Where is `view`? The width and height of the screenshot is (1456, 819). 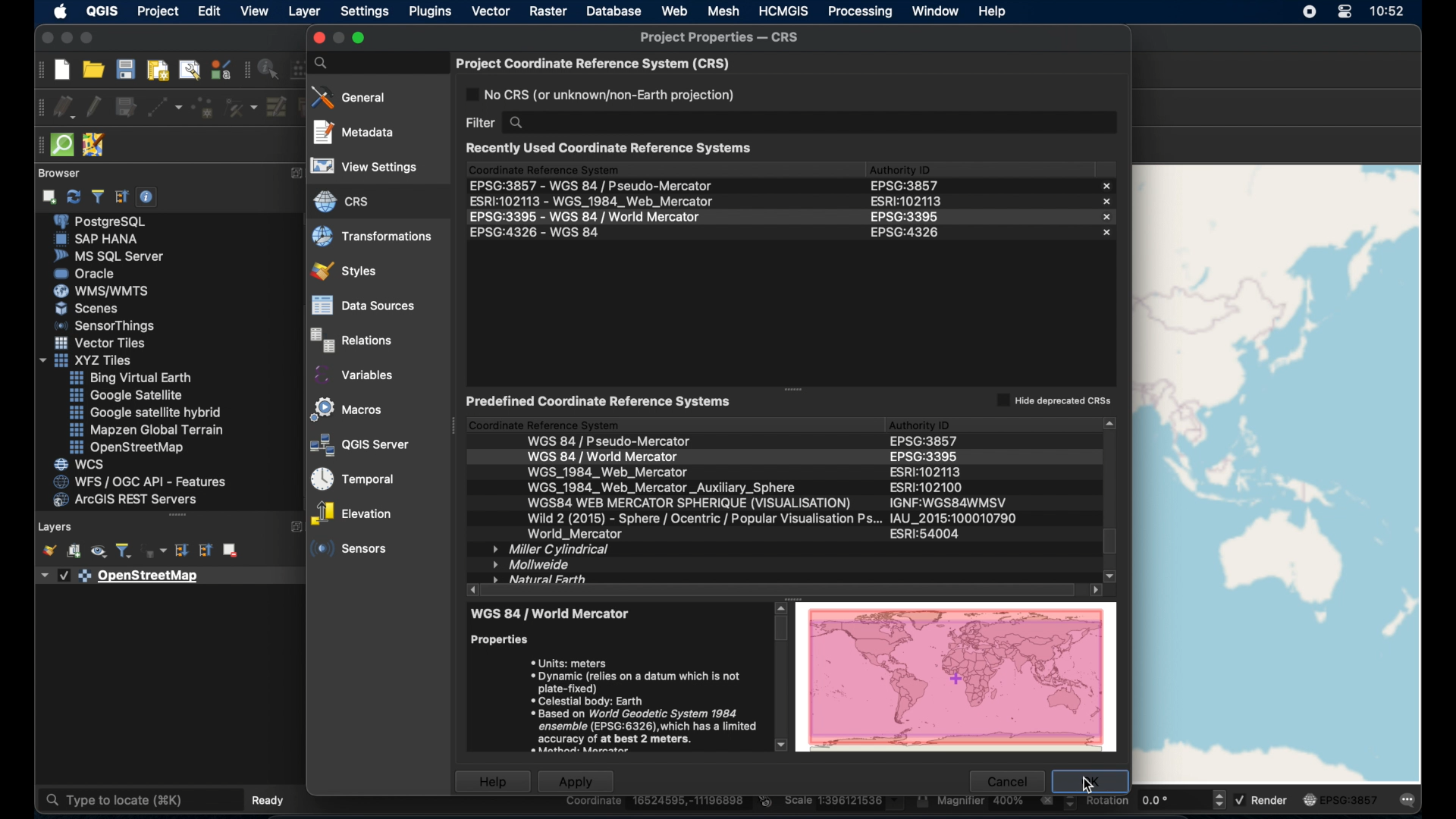 view is located at coordinates (256, 11).